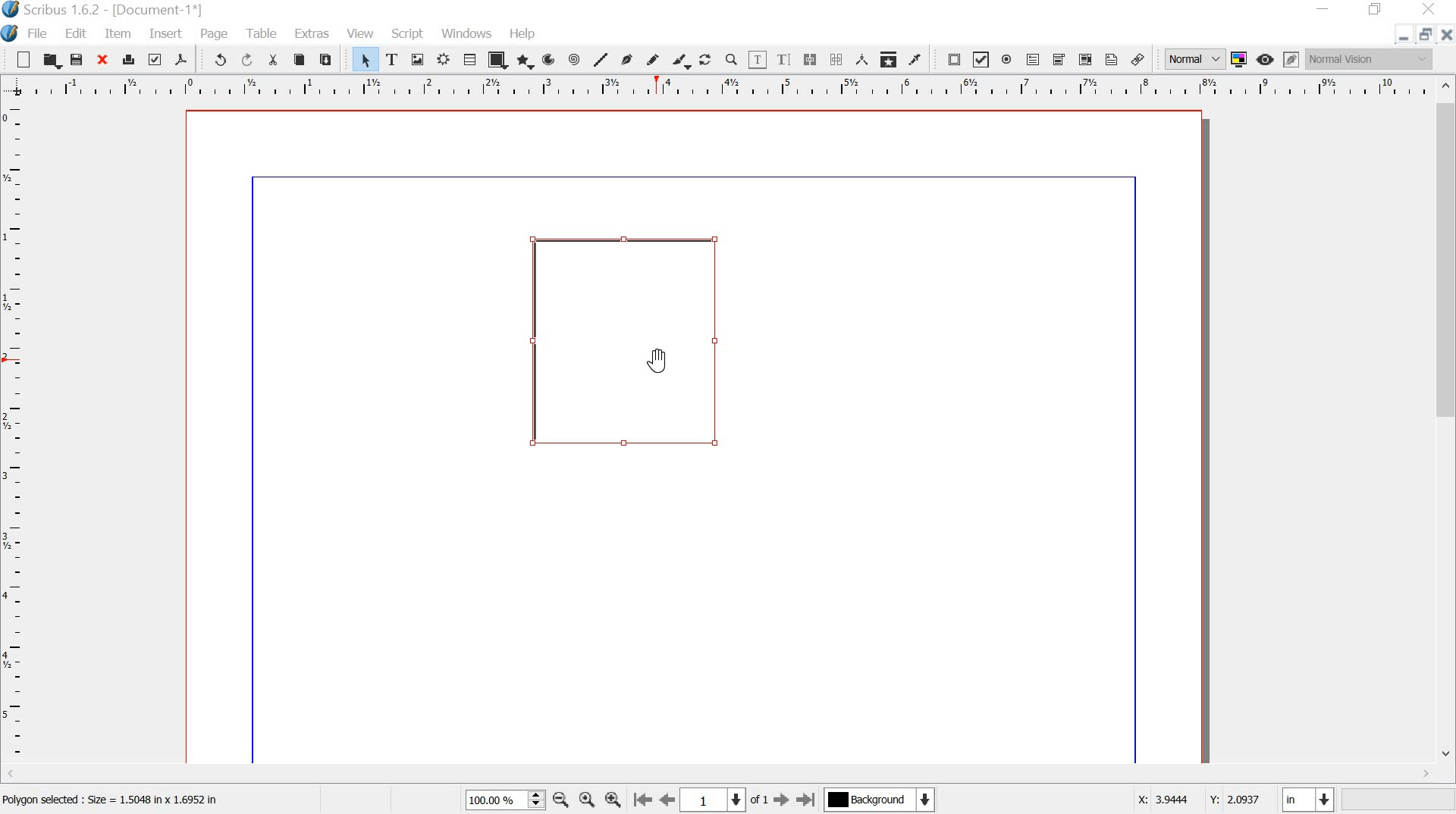  I want to click on X: 3.9444 Y: 2.0937, so click(1200, 802).